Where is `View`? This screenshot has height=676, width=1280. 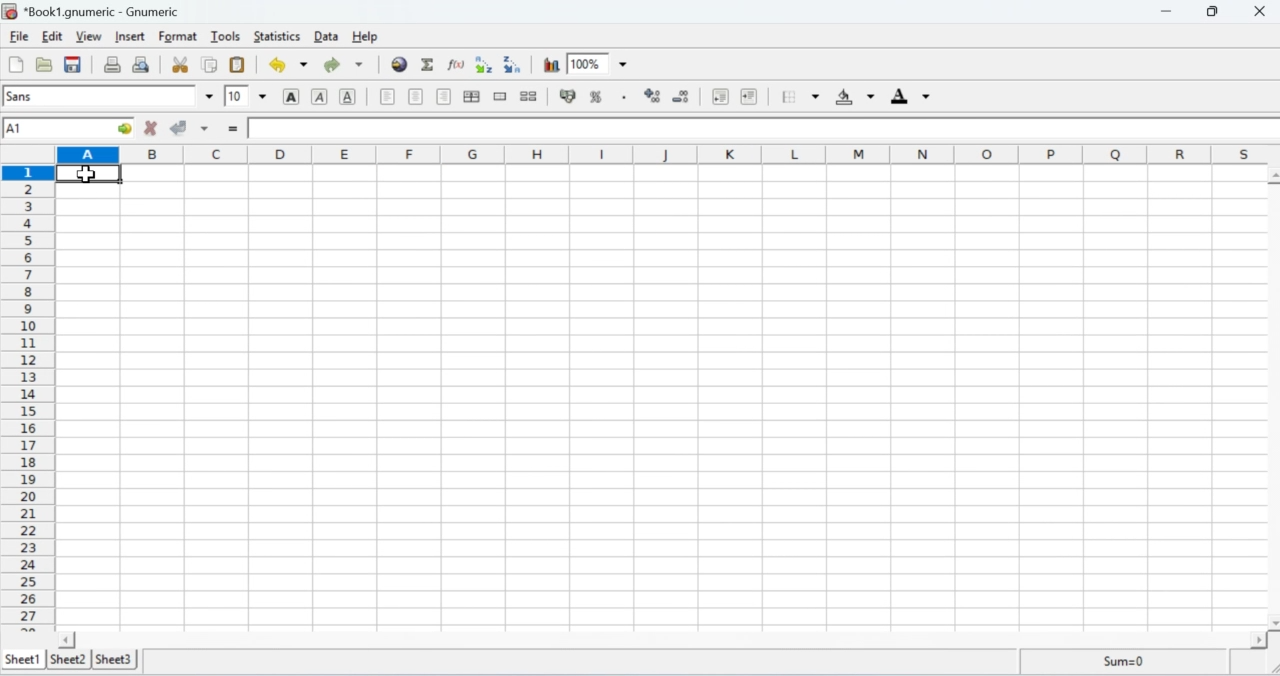 View is located at coordinates (90, 38).